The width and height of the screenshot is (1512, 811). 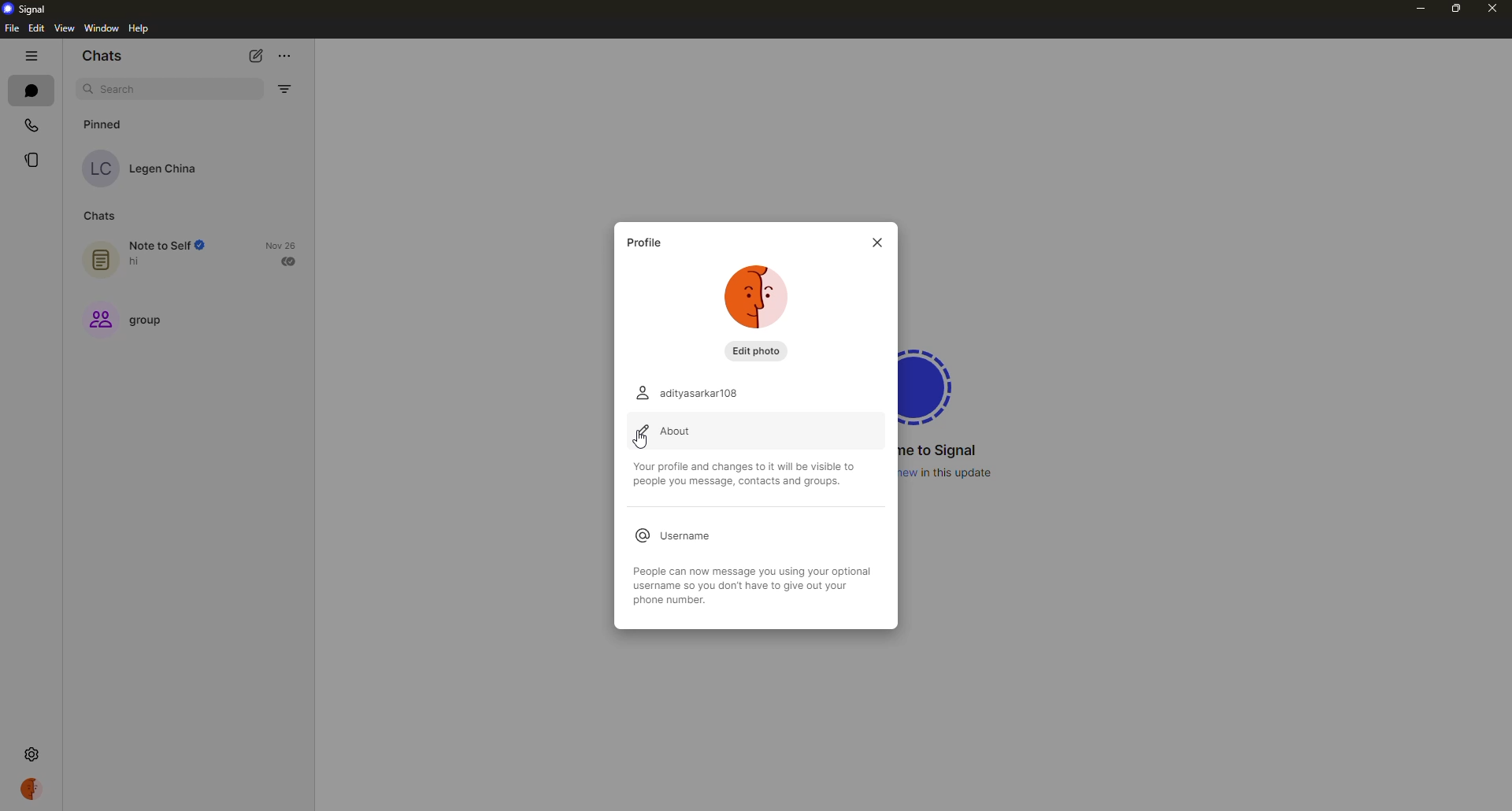 I want to click on search, so click(x=123, y=90).